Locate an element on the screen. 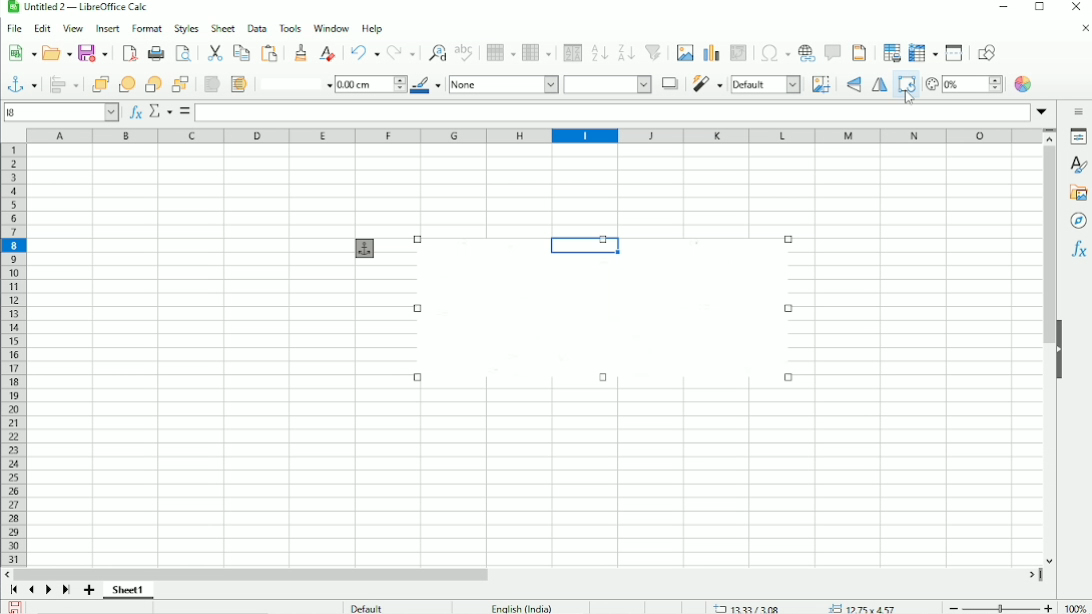 This screenshot has width=1092, height=614. Styles is located at coordinates (185, 28).